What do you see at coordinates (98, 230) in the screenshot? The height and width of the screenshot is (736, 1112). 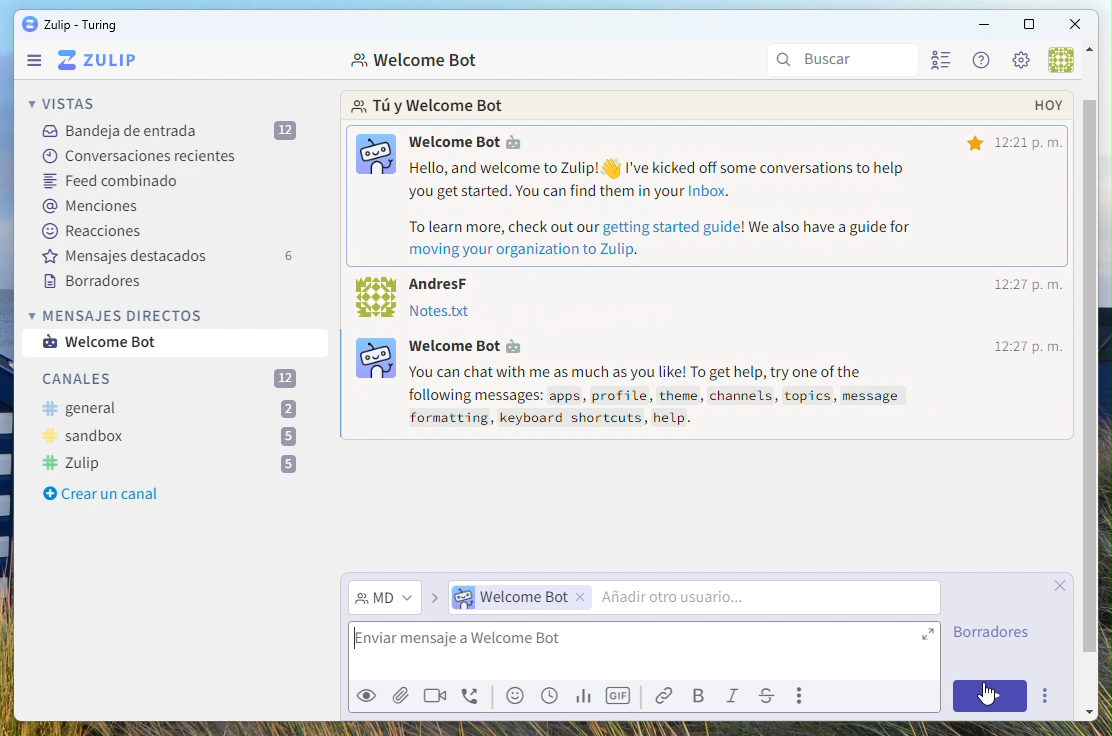 I see `Reactions` at bounding box center [98, 230].